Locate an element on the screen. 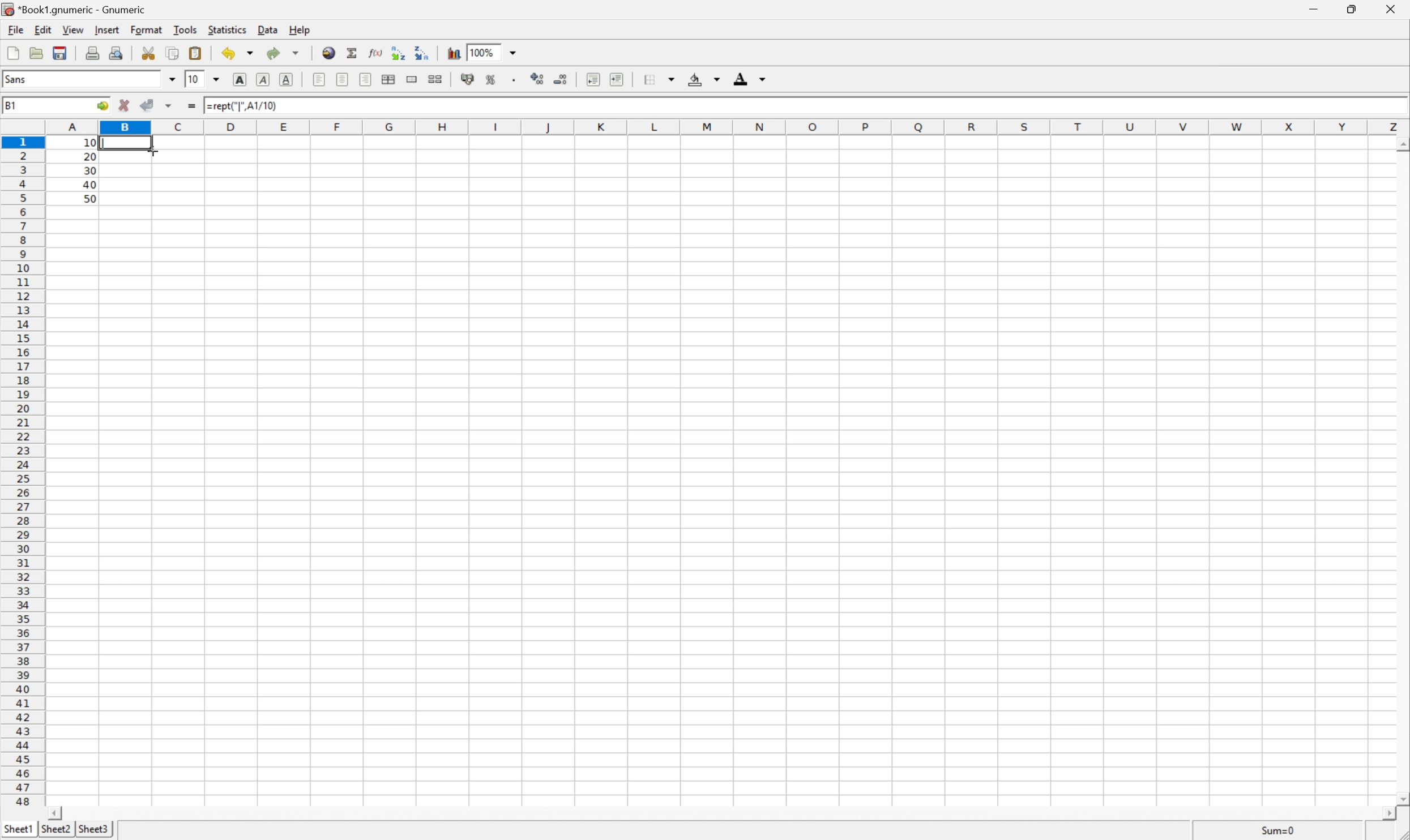 This screenshot has height=840, width=1410. Drop Down is located at coordinates (514, 51).